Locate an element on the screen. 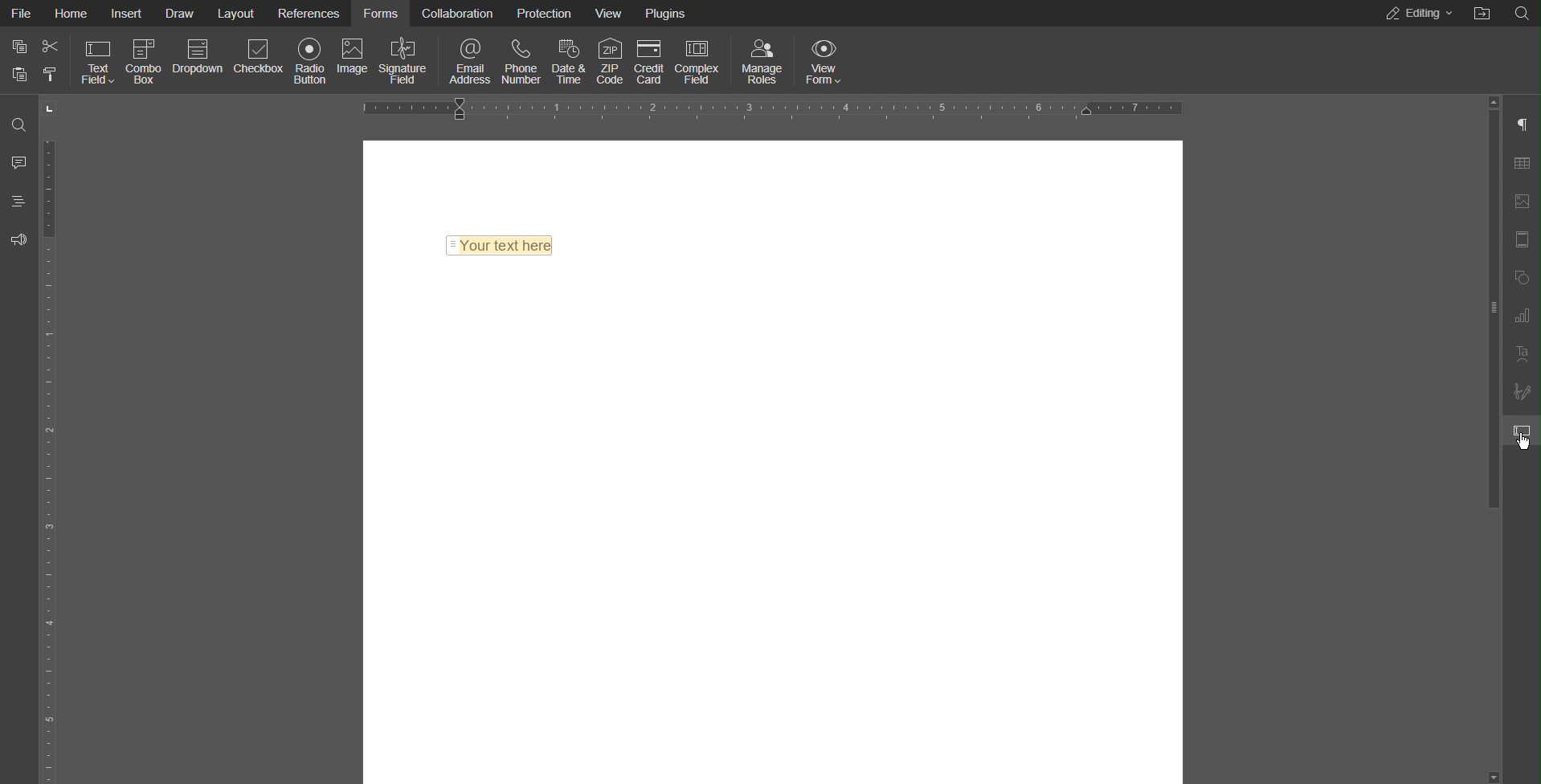 This screenshot has width=1541, height=784. ZIP Code is located at coordinates (611, 59).